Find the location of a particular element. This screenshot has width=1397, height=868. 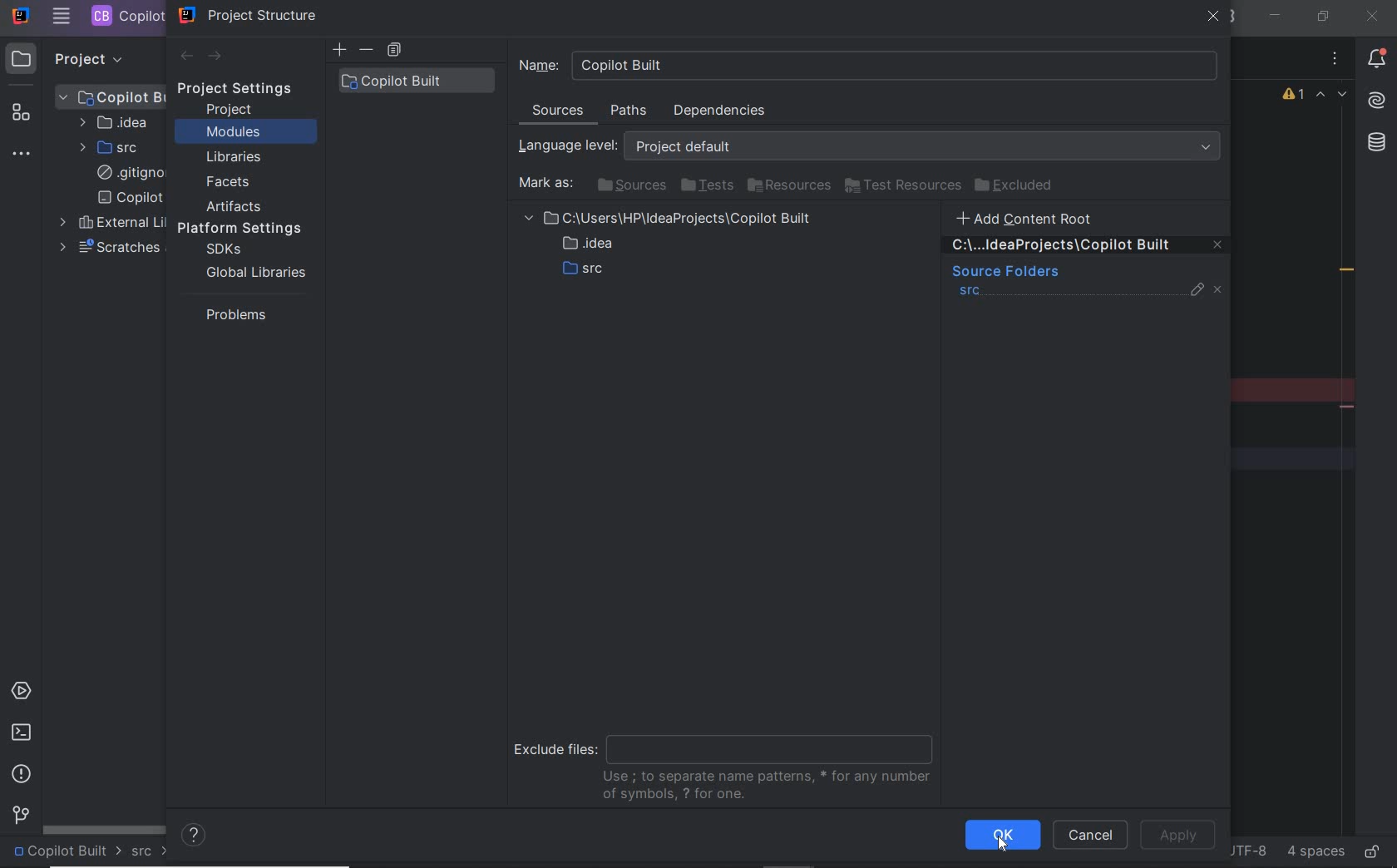

AI Assistant is located at coordinates (1375, 101).